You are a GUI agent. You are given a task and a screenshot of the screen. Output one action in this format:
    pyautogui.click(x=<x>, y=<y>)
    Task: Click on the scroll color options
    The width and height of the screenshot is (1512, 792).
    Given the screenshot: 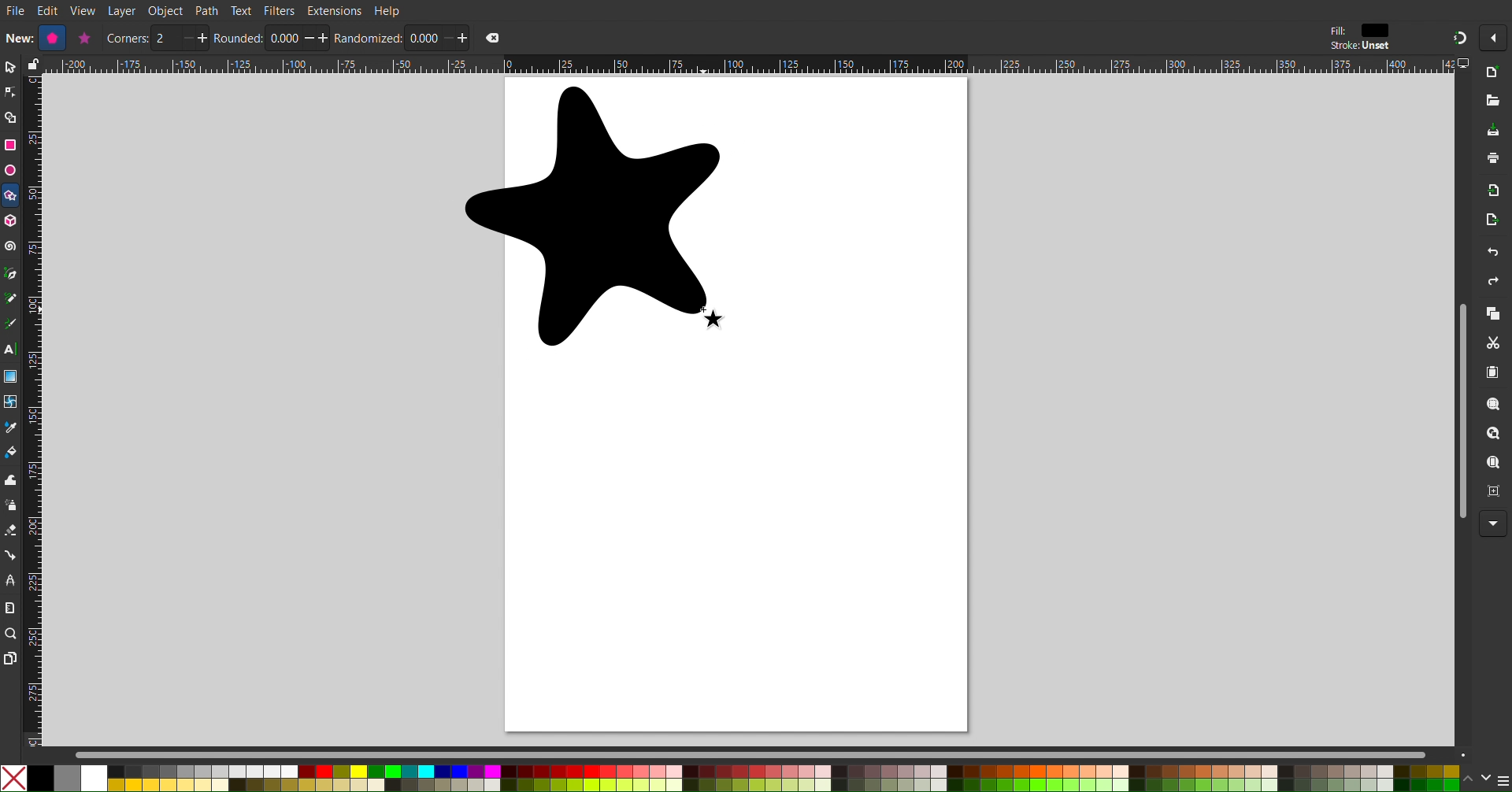 What is the action you would take?
    pyautogui.click(x=1476, y=778)
    